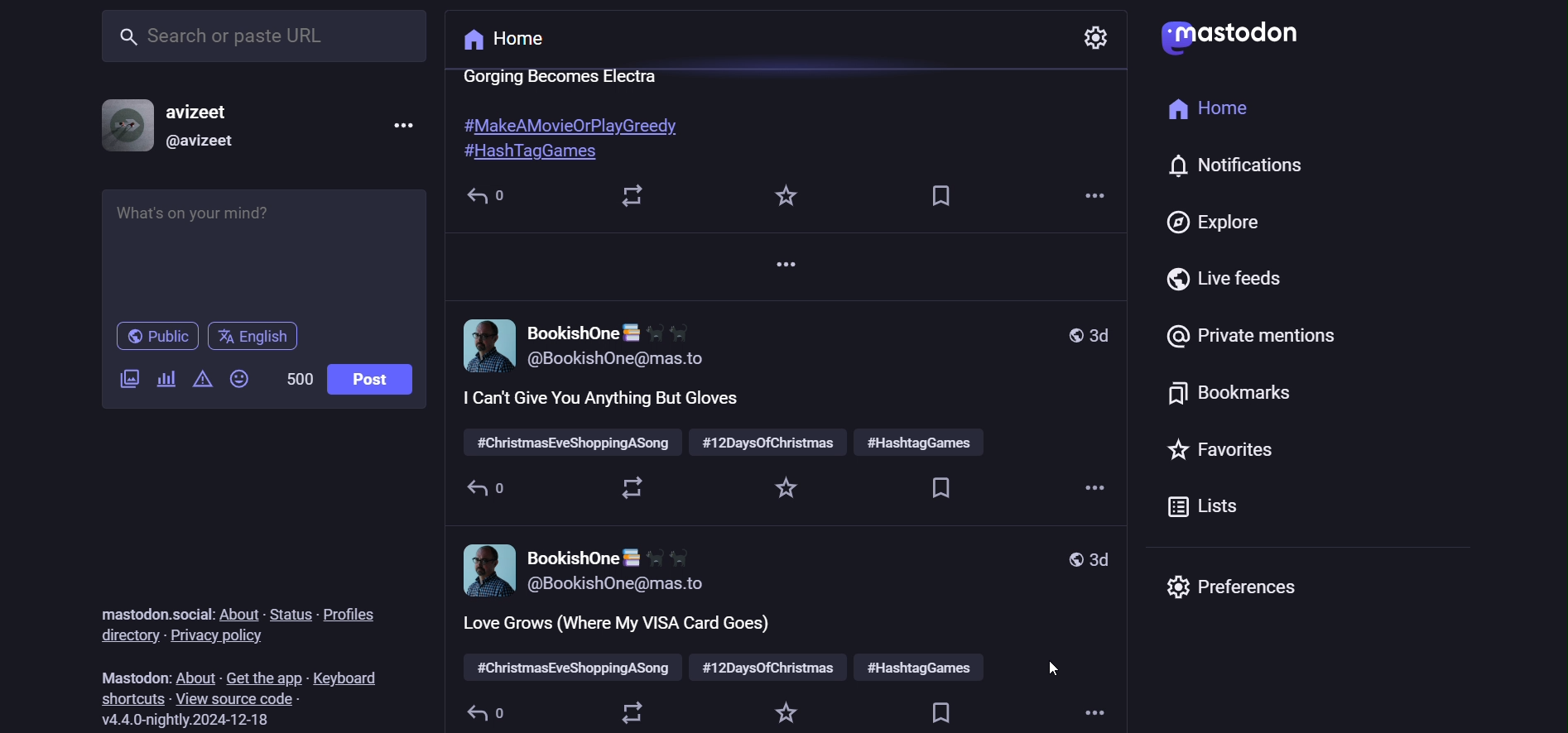  I want to click on profile picture, so click(123, 122).